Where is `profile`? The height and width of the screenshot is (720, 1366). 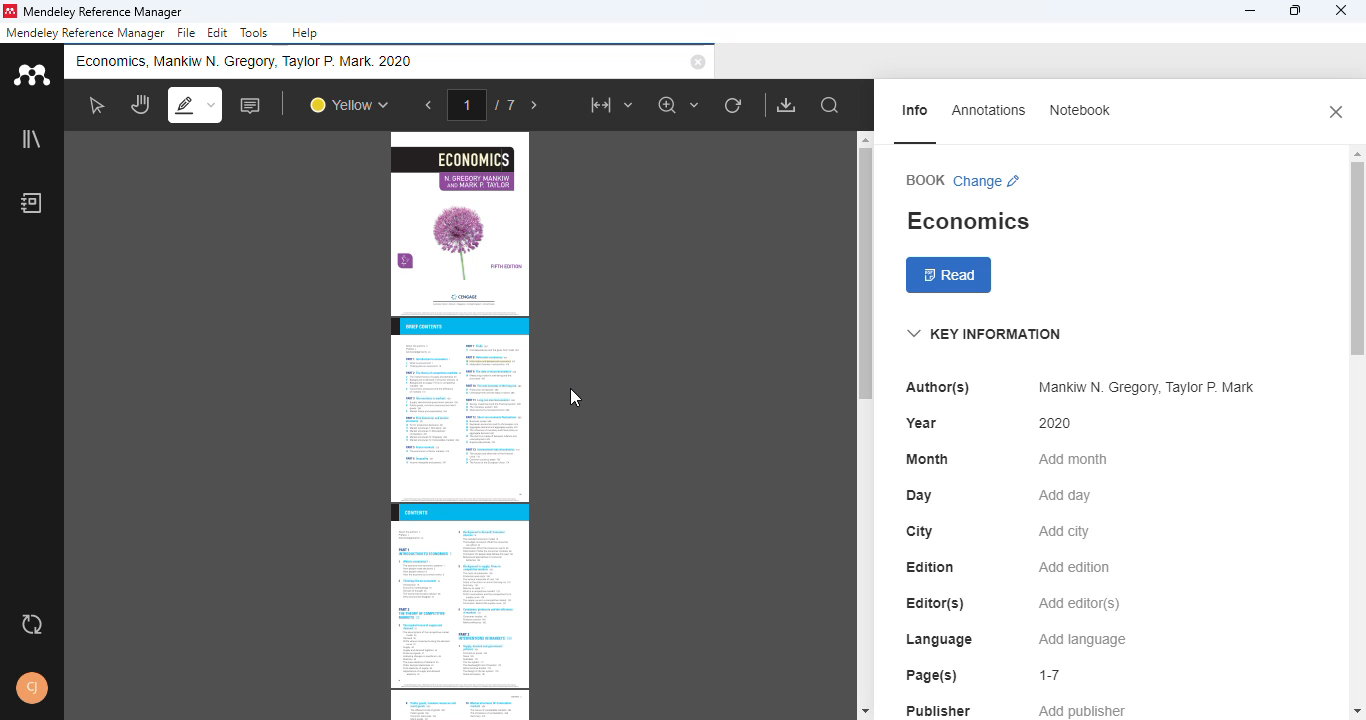
profile is located at coordinates (33, 688).